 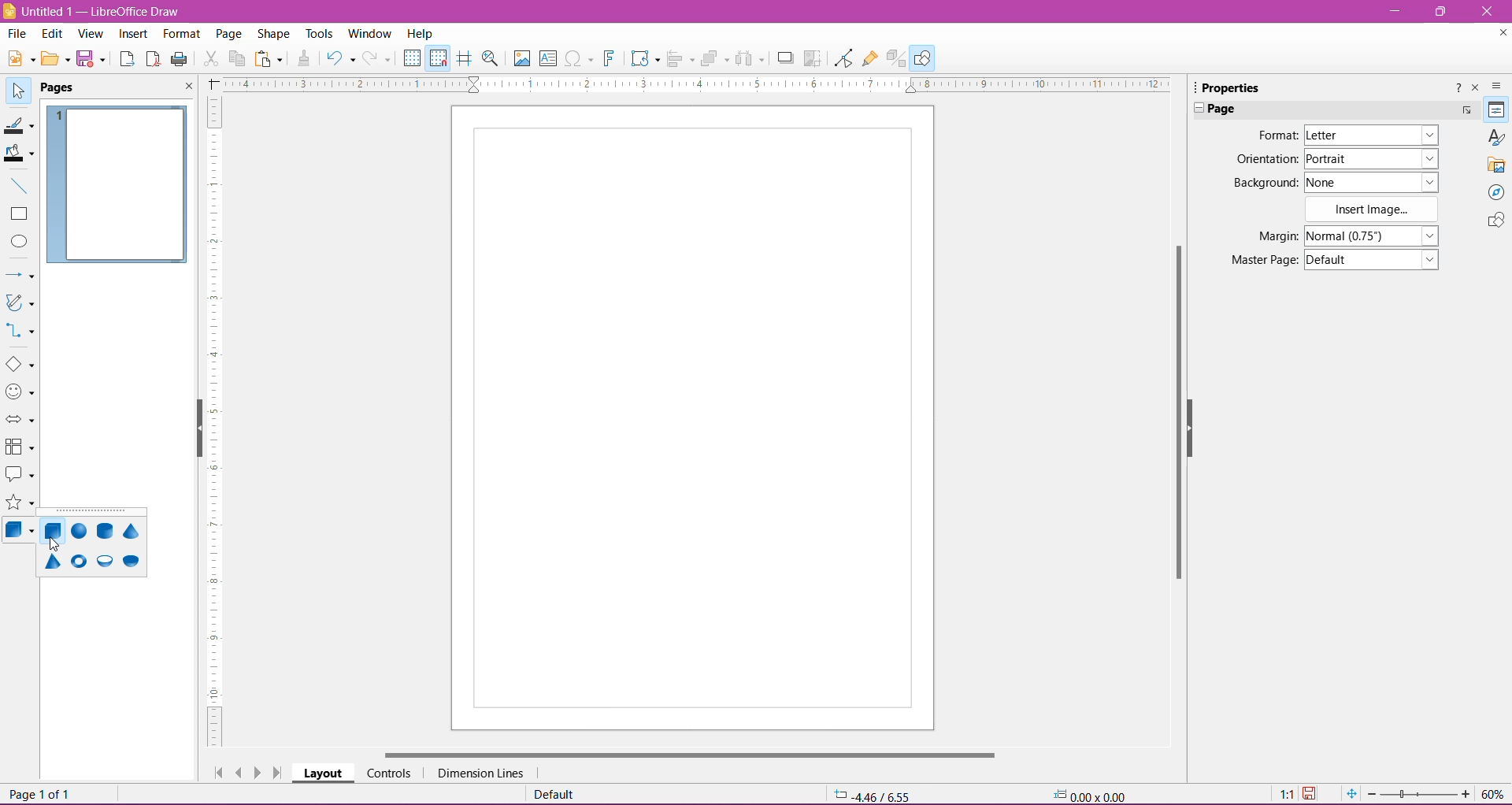 I want to click on Cylinder, so click(x=105, y=532).